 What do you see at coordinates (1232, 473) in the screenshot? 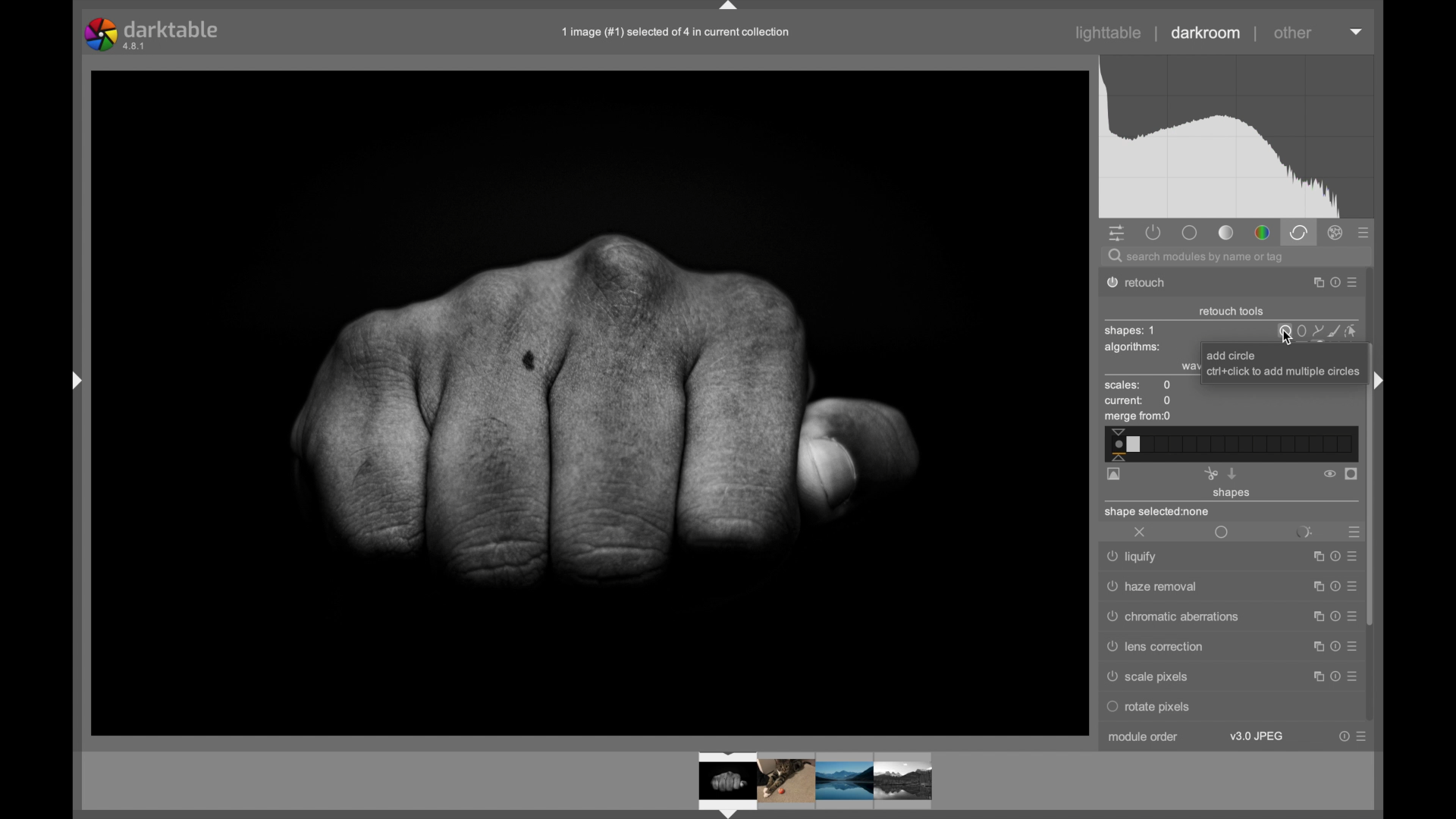
I see `paste` at bounding box center [1232, 473].